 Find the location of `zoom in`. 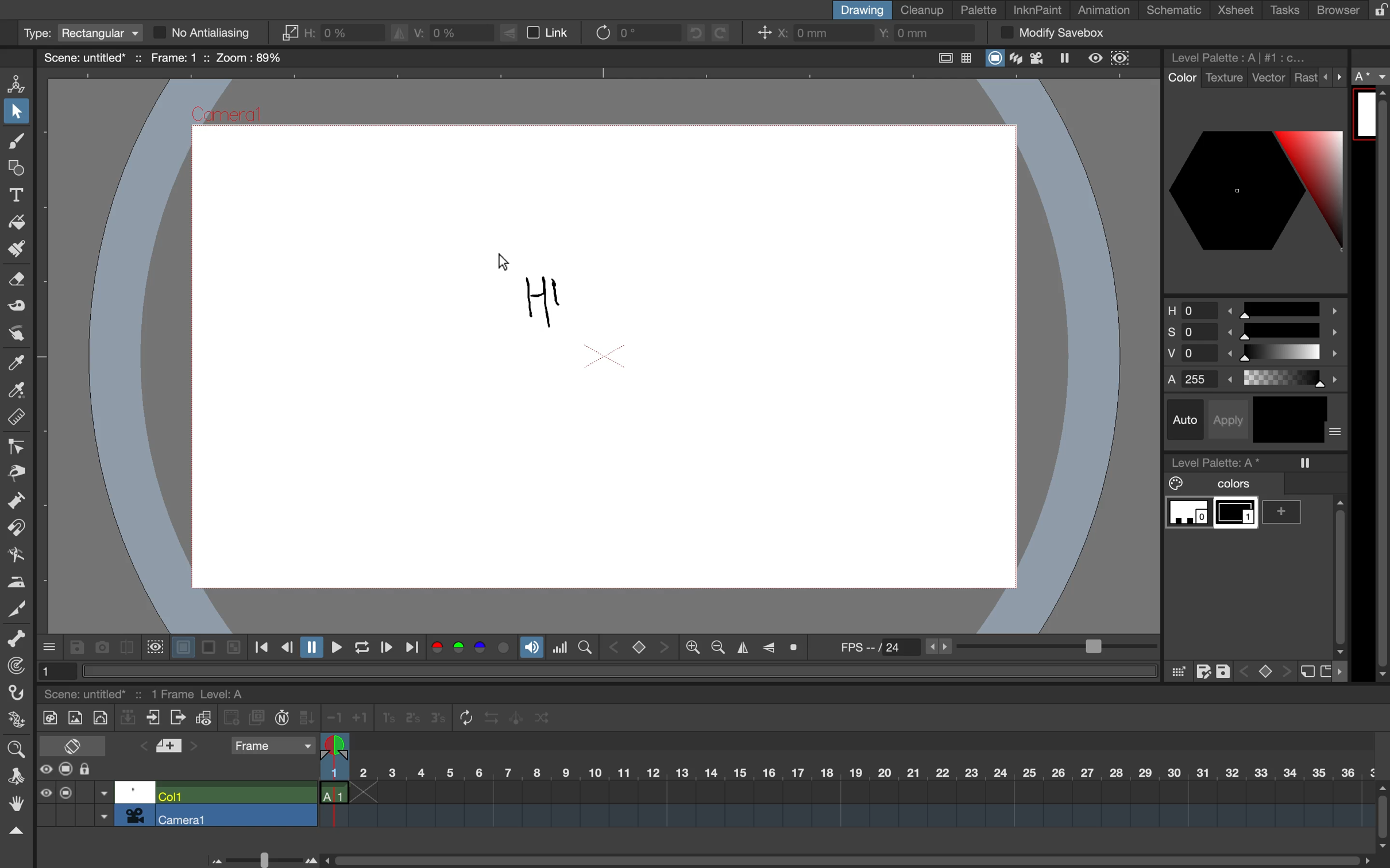

zoom in is located at coordinates (715, 648).